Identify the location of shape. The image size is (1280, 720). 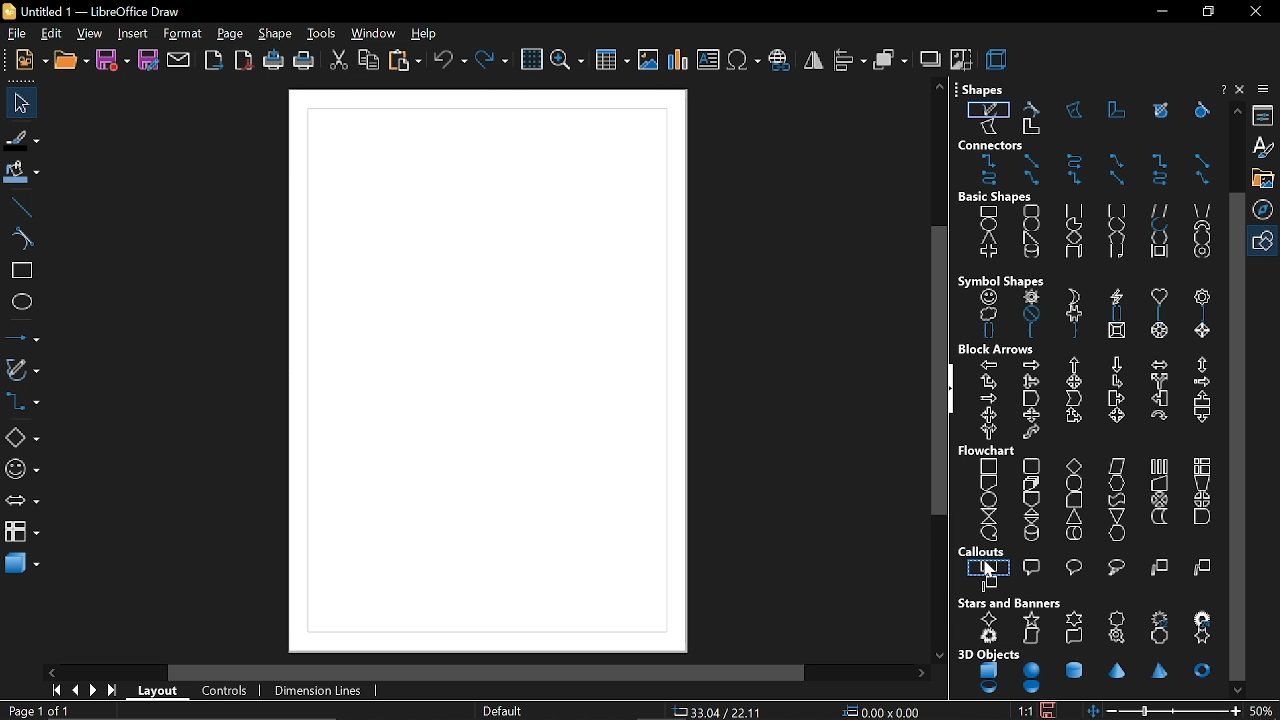
(277, 35).